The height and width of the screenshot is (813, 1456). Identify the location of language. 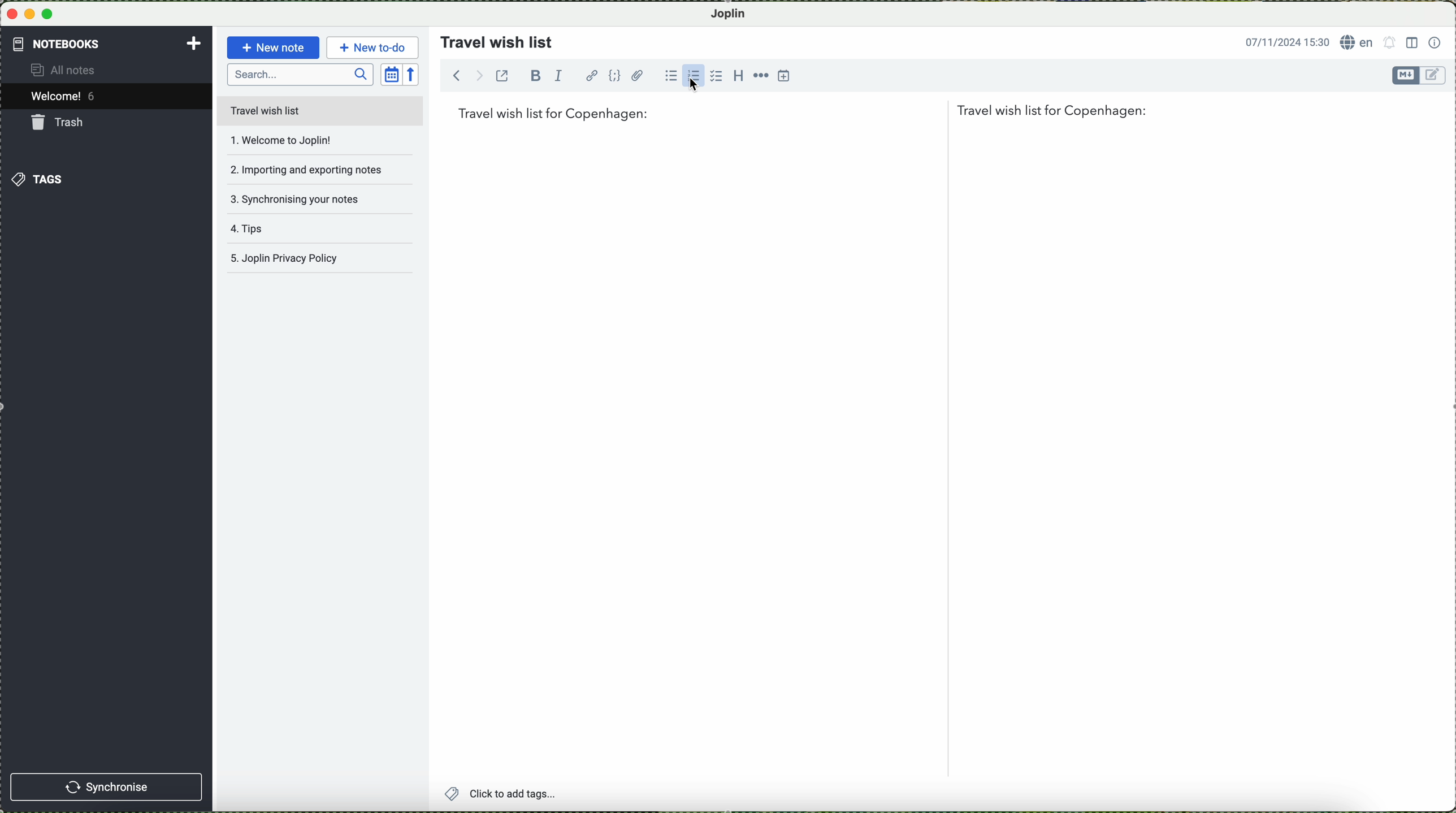
(1357, 42).